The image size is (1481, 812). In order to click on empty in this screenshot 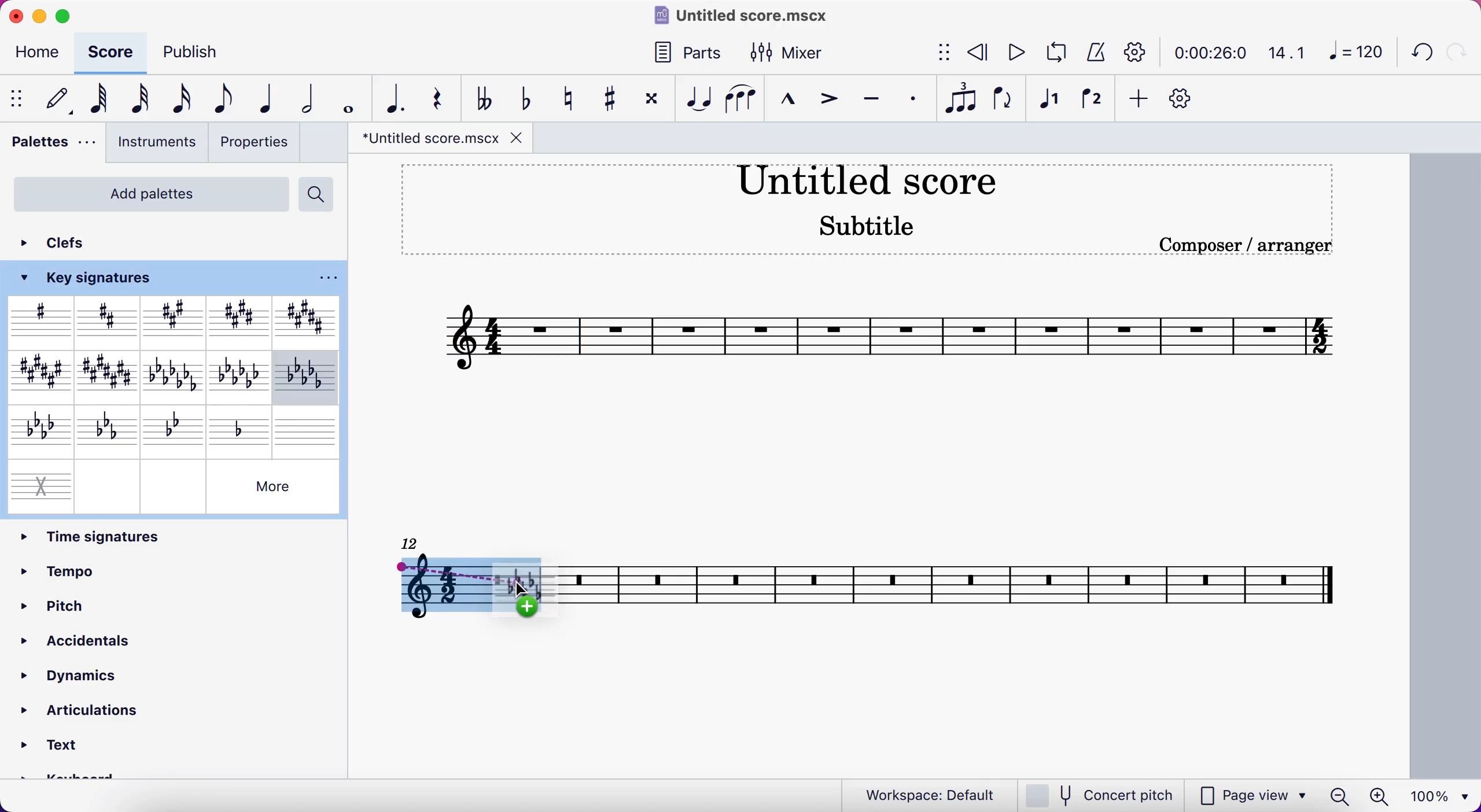, I will do `click(172, 485)`.